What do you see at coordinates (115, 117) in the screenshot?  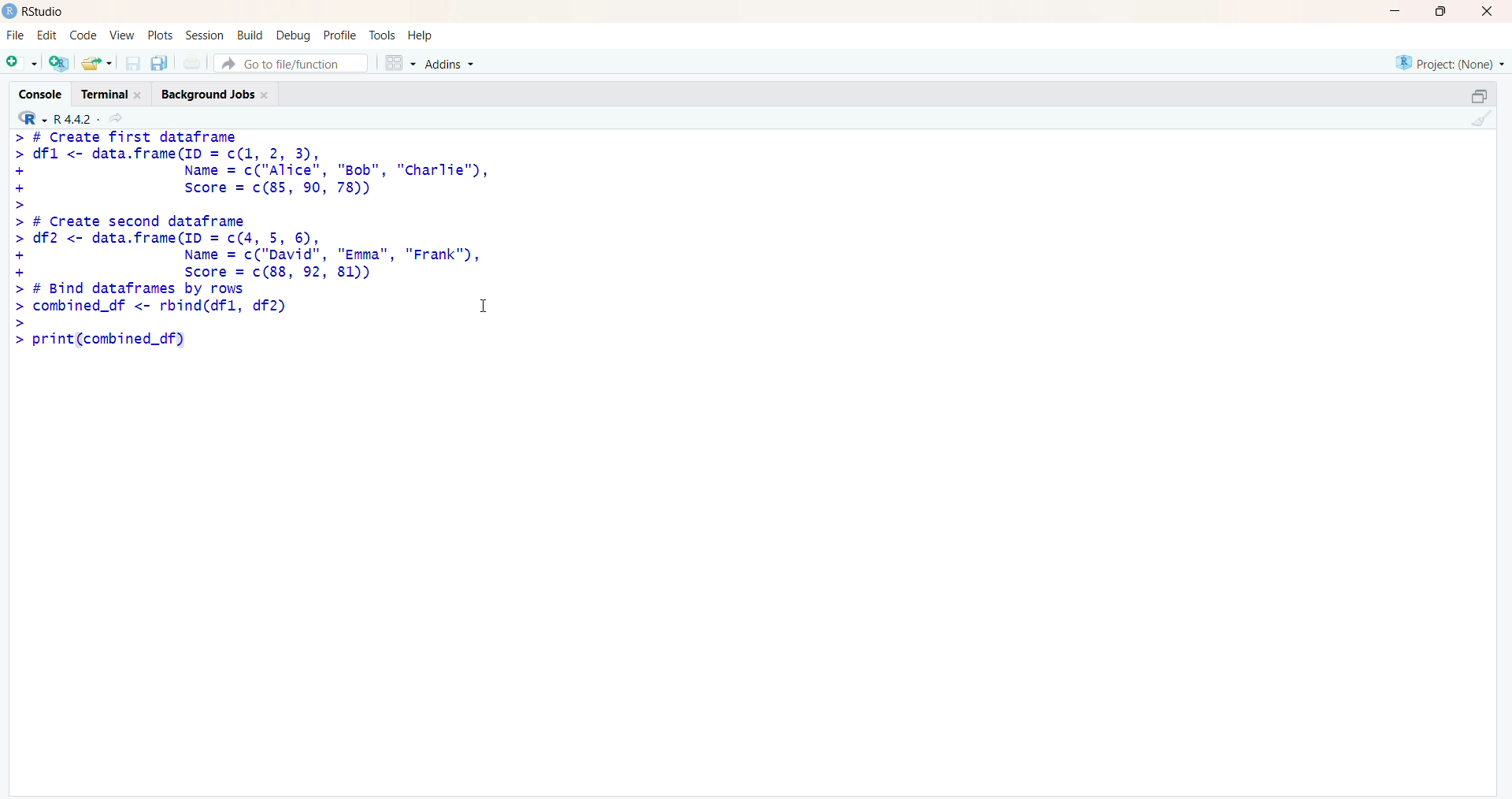 I see `view current directory` at bounding box center [115, 117].